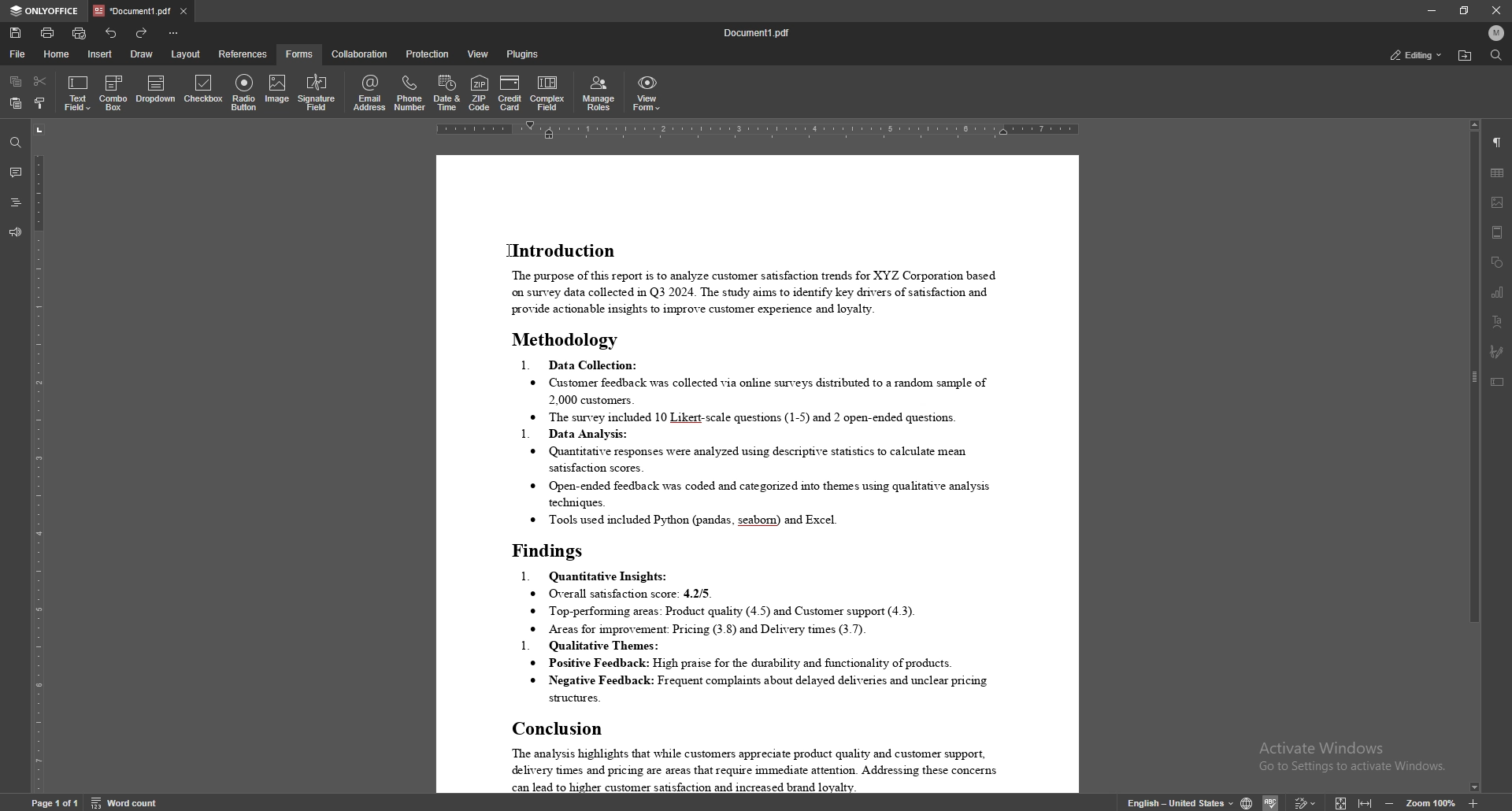  I want to click on fit to width, so click(1366, 802).